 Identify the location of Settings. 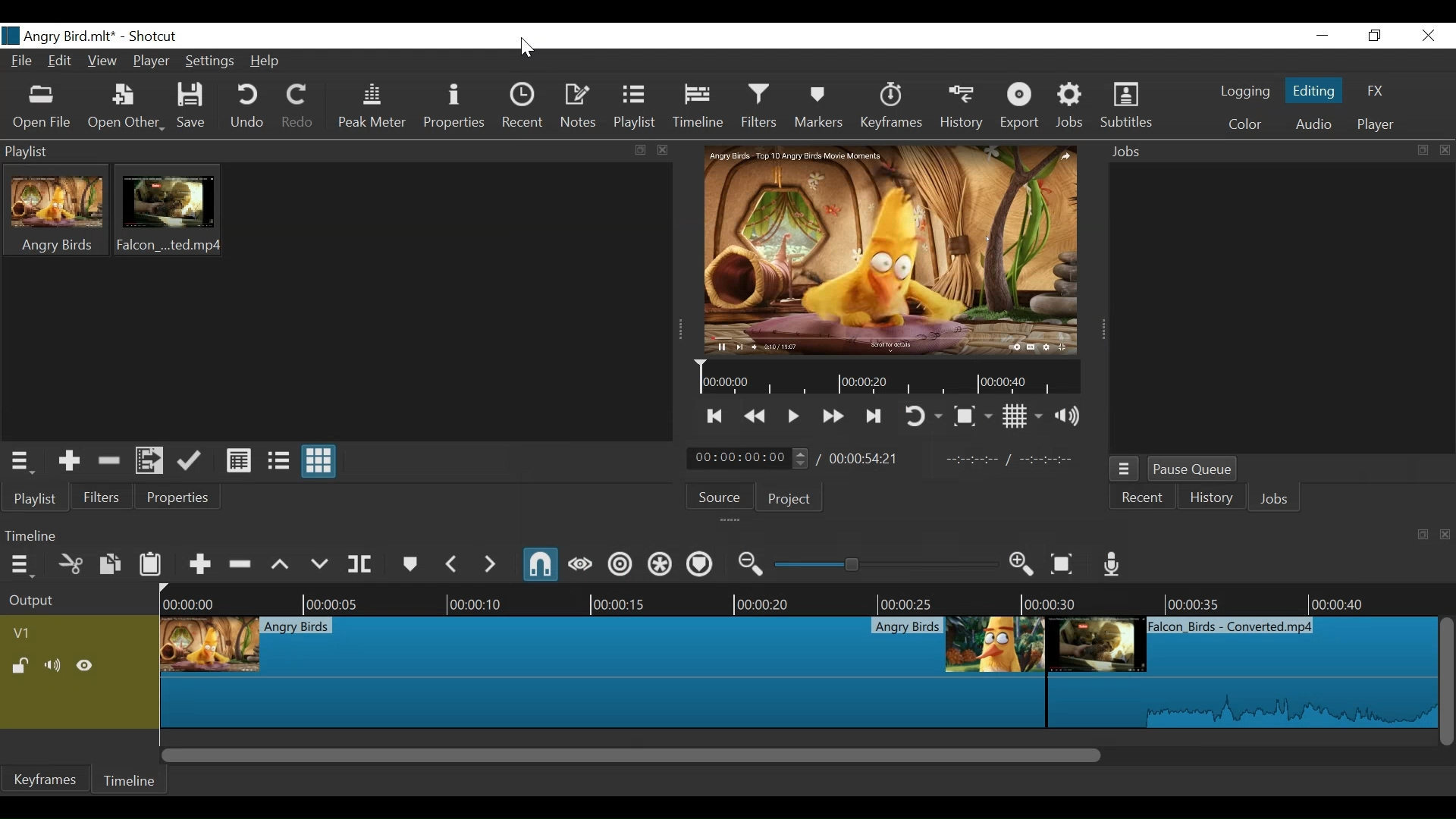
(212, 61).